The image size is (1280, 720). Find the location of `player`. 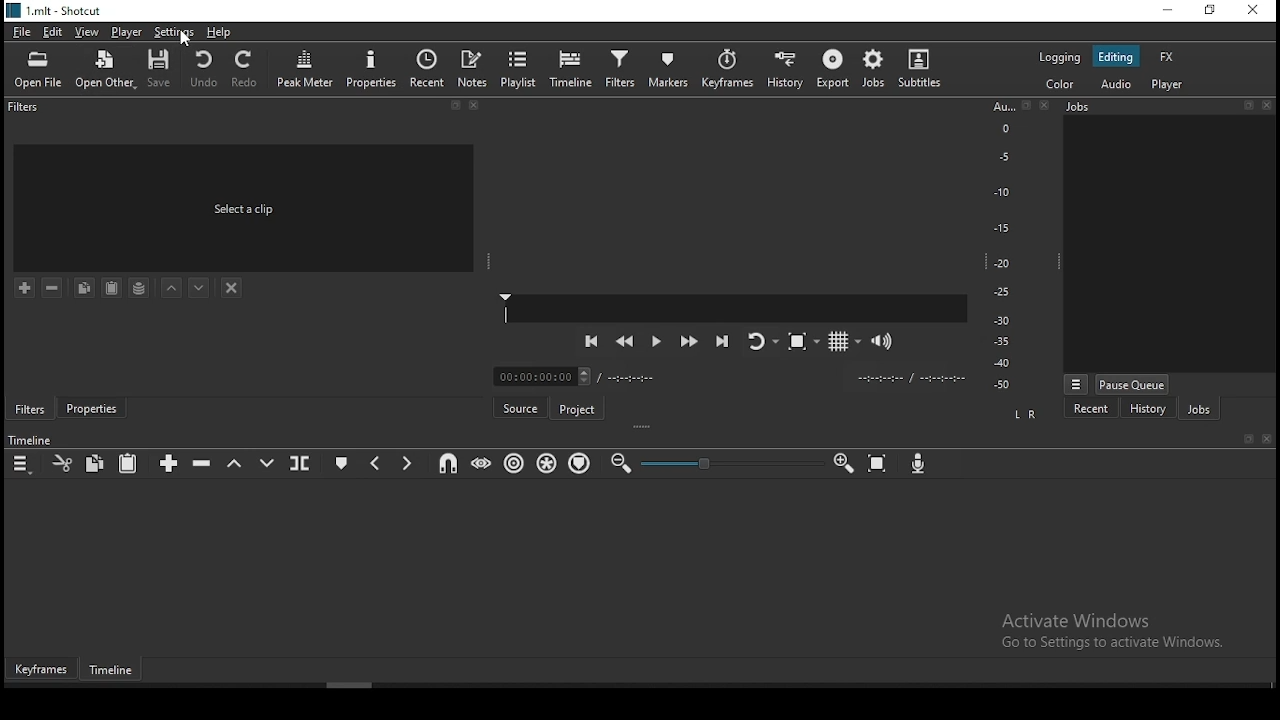

player is located at coordinates (124, 33).